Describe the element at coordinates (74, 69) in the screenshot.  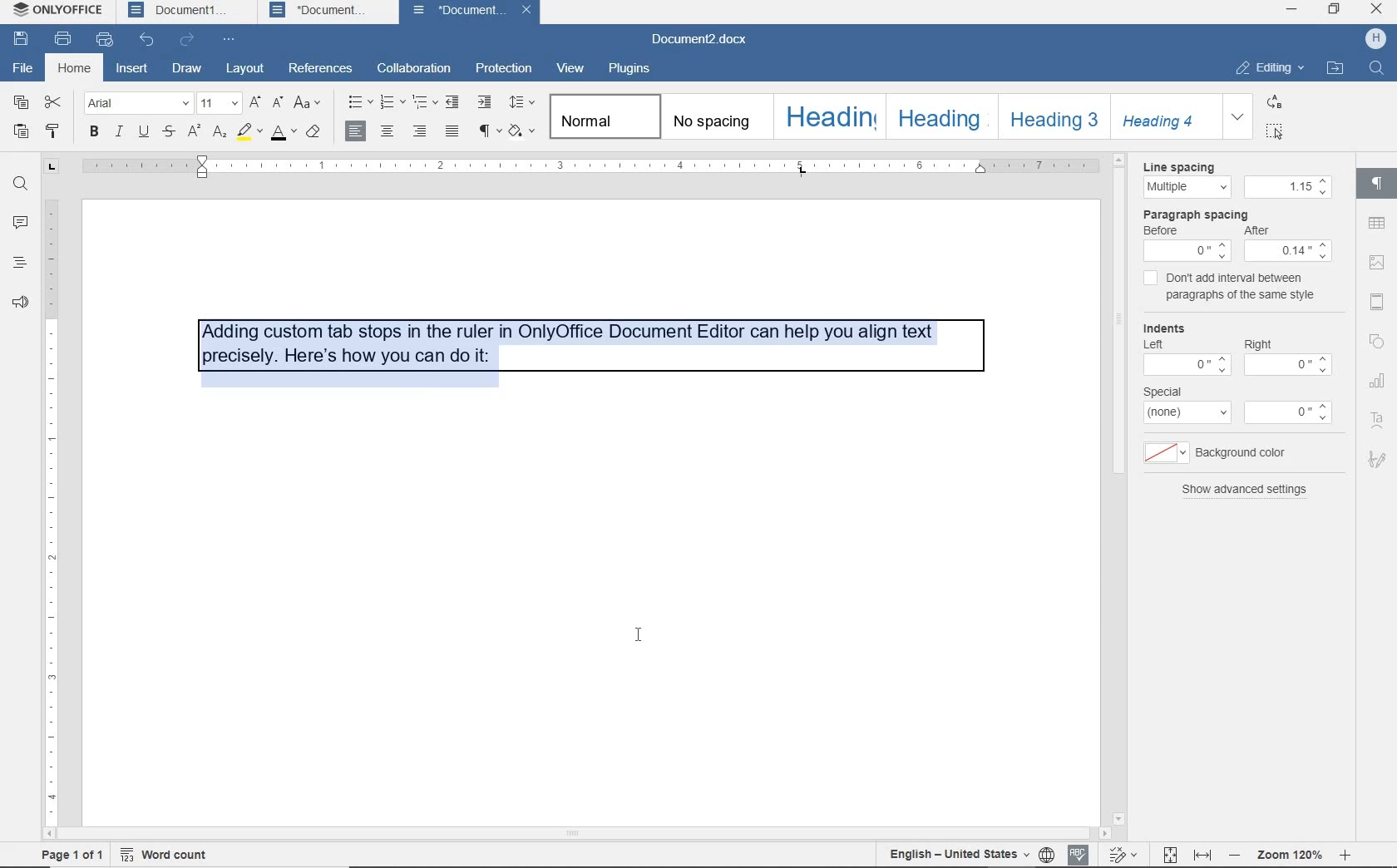
I see `home` at that location.